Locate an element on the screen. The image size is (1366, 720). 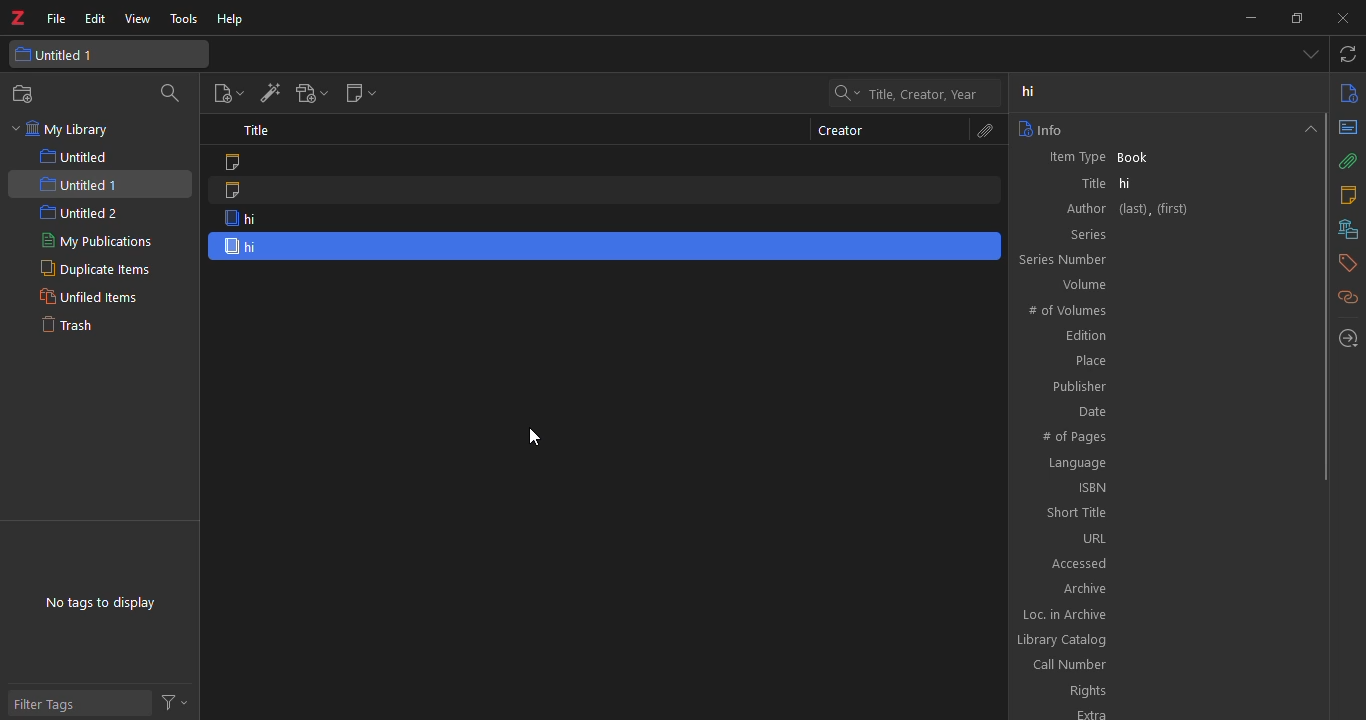
related is located at coordinates (1351, 299).